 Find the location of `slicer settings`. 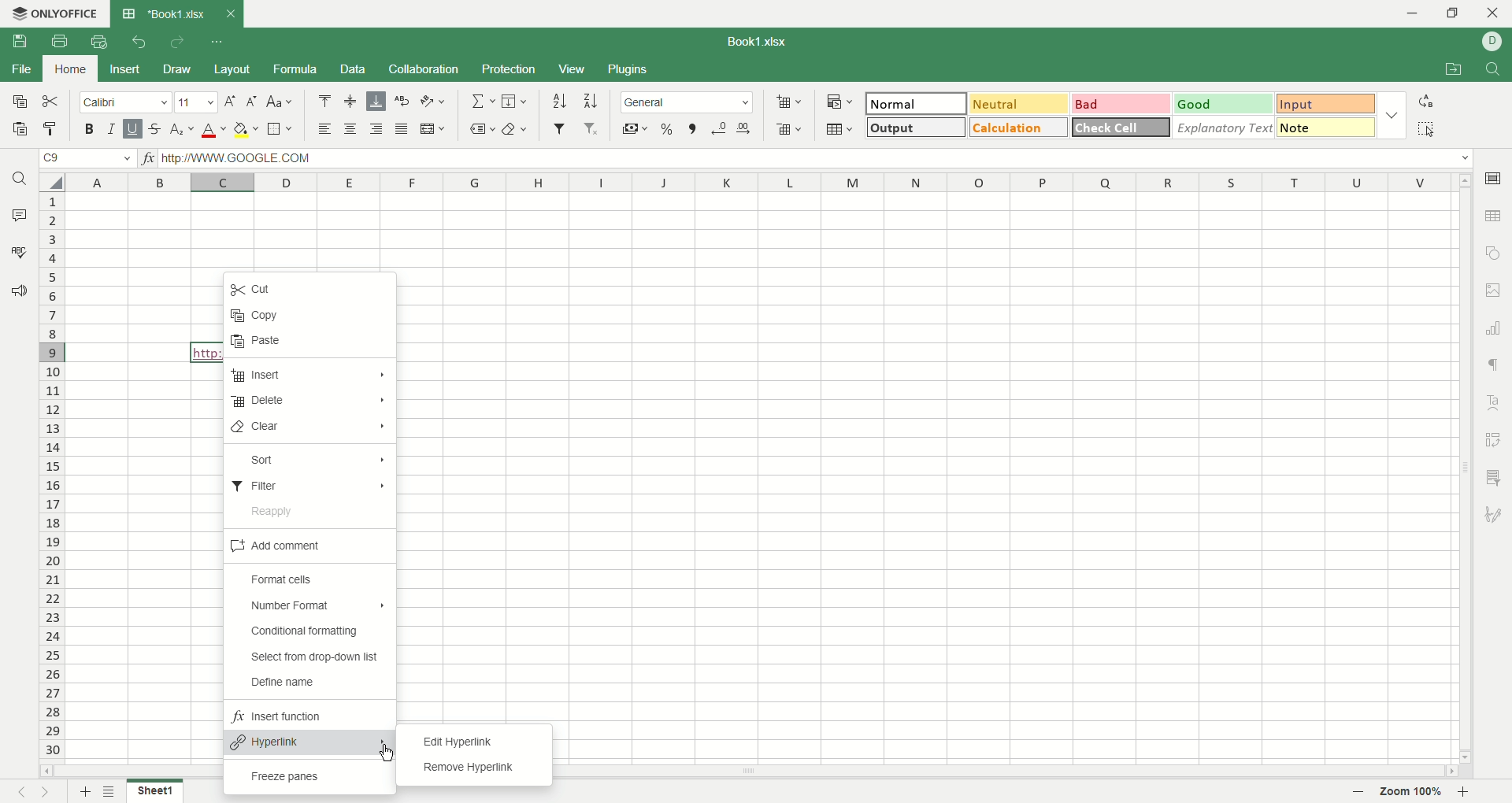

slicer settings is located at coordinates (1493, 475).